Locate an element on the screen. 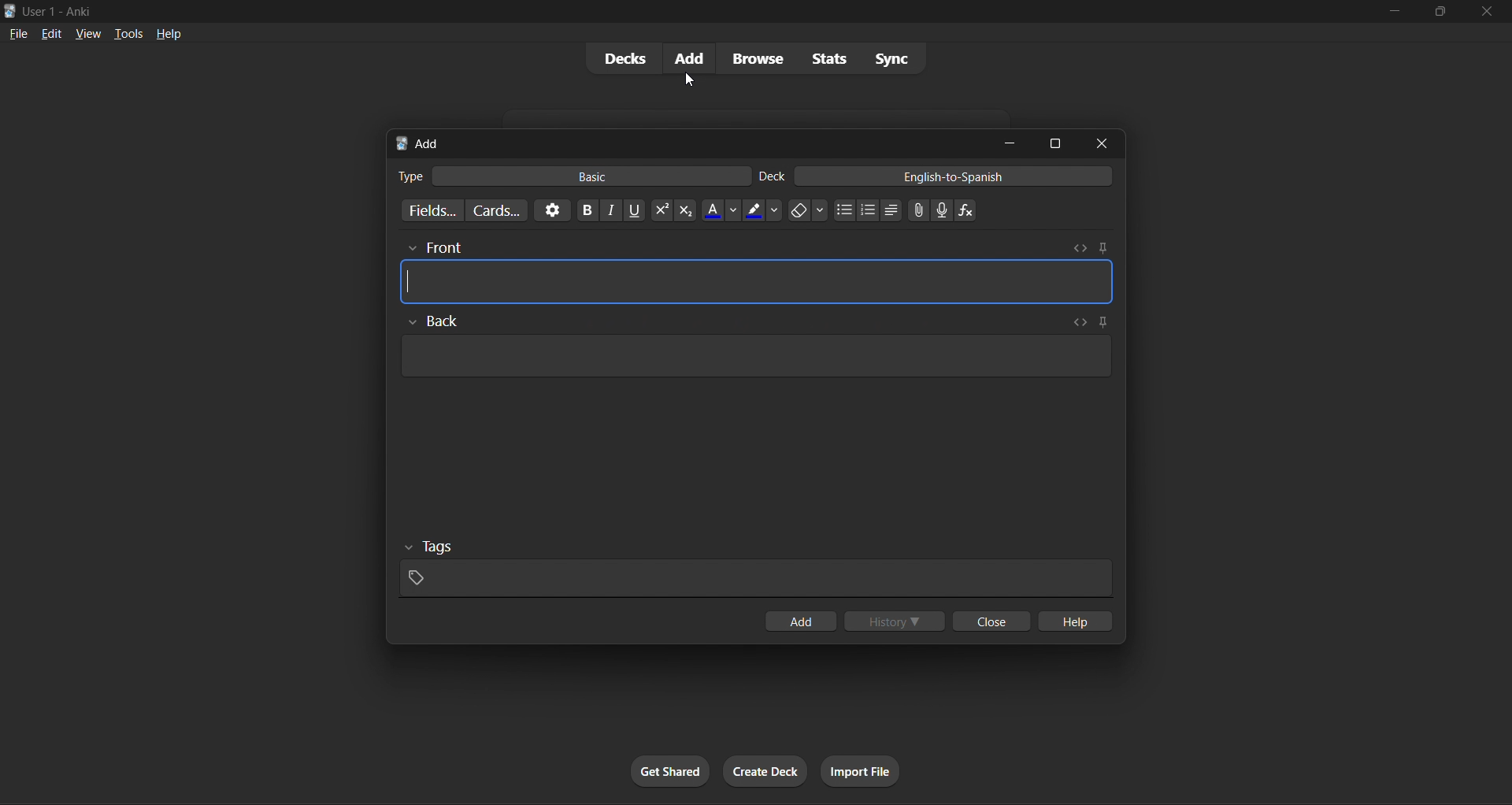  browse is located at coordinates (756, 57).